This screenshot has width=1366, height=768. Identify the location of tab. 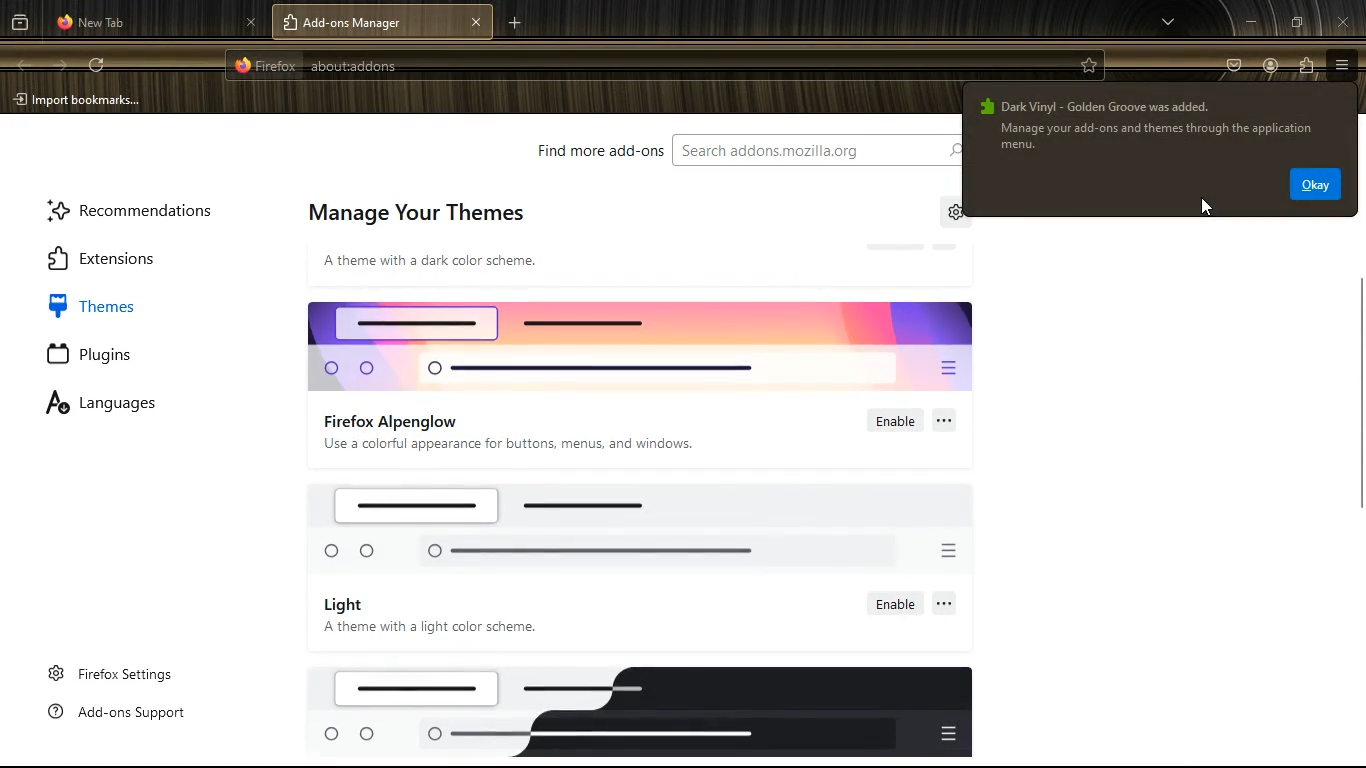
(156, 24).